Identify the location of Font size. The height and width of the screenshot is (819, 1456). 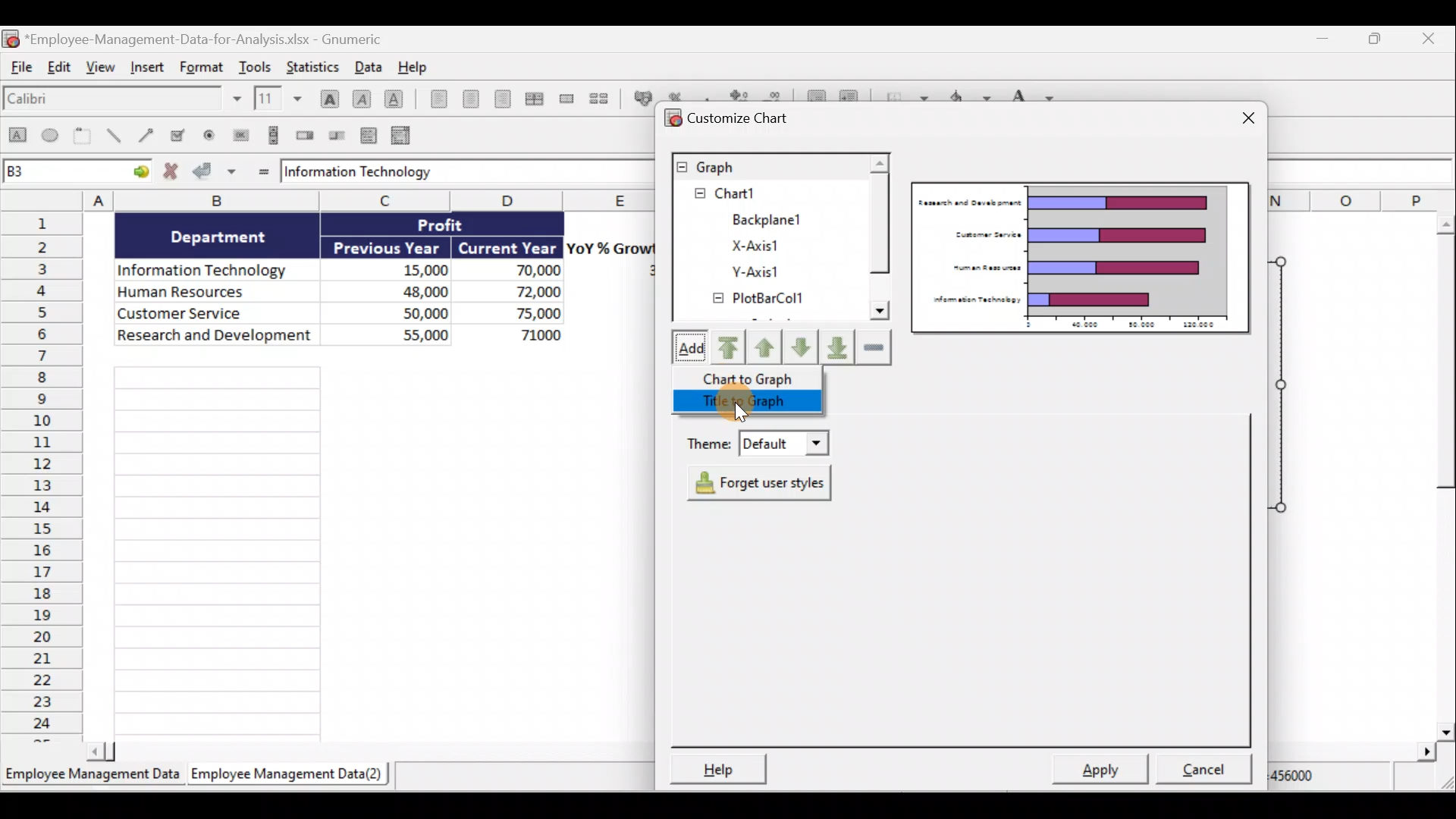
(281, 98).